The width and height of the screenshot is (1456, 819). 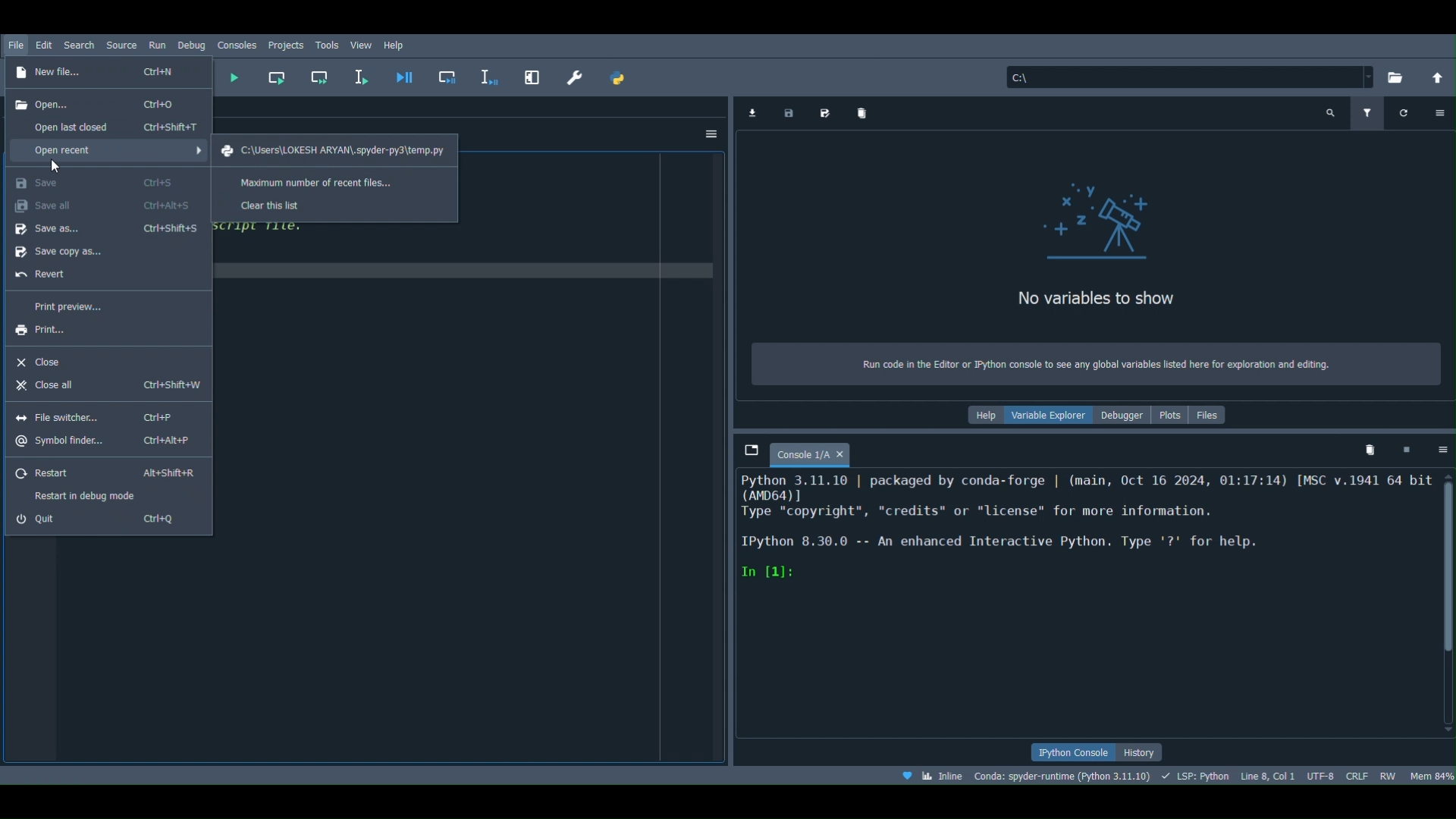 I want to click on New file , so click(x=108, y=74).